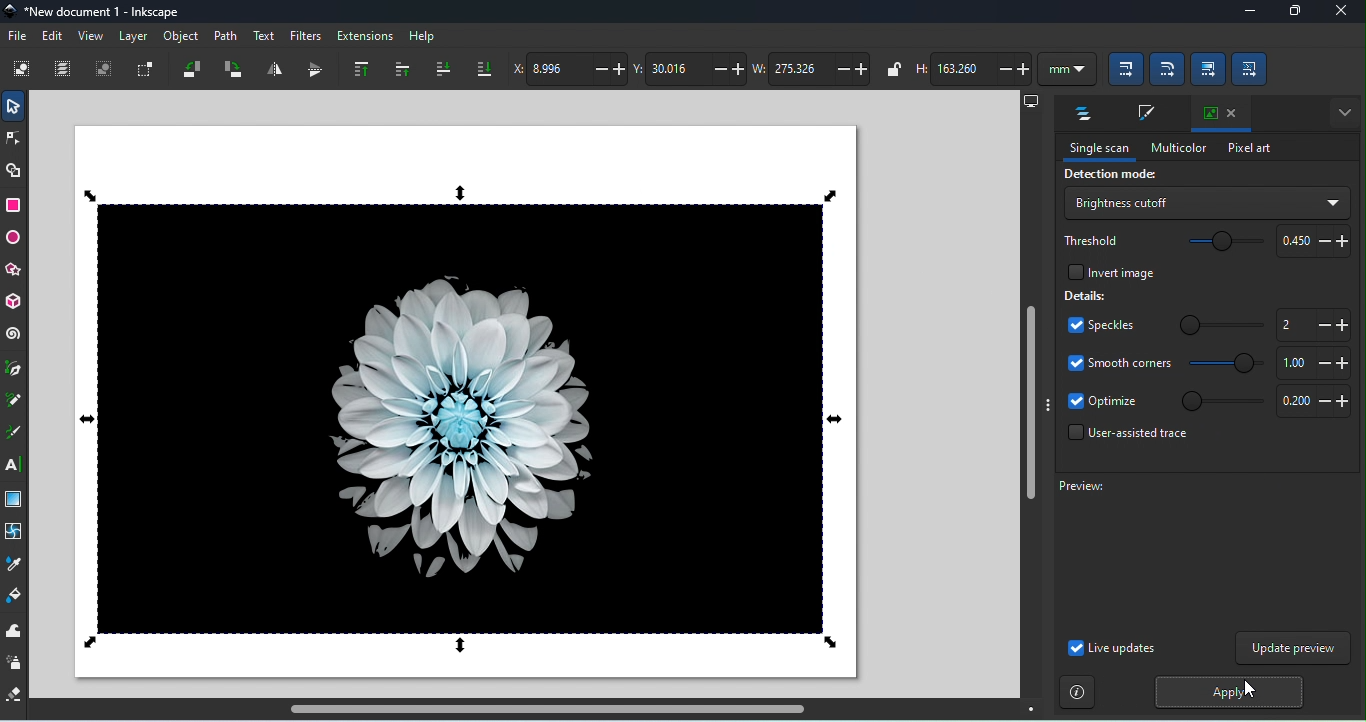  Describe the element at coordinates (274, 69) in the screenshot. I see `Object flip horizontally` at that location.